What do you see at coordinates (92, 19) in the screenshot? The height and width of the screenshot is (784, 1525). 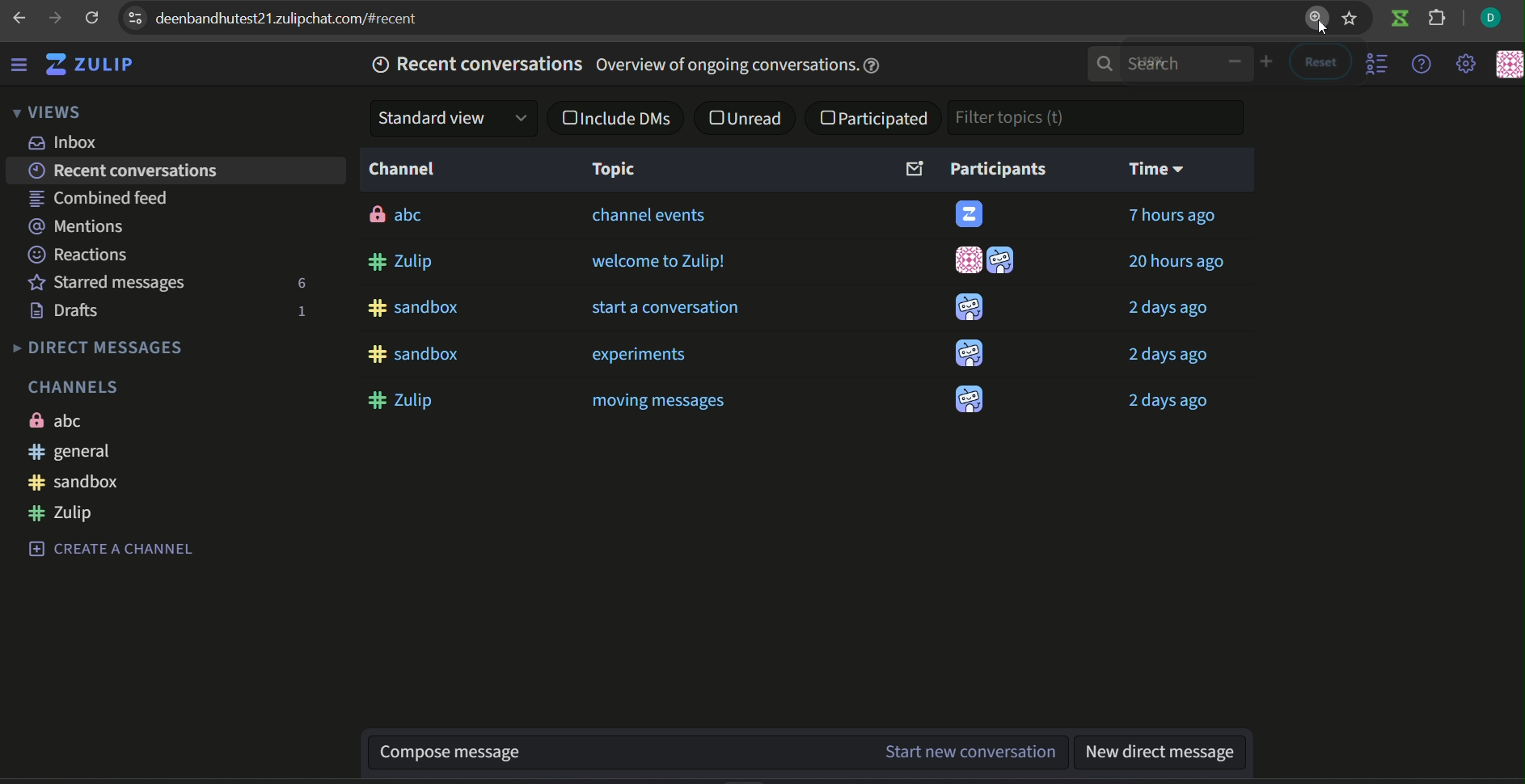 I see `refresh` at bounding box center [92, 19].